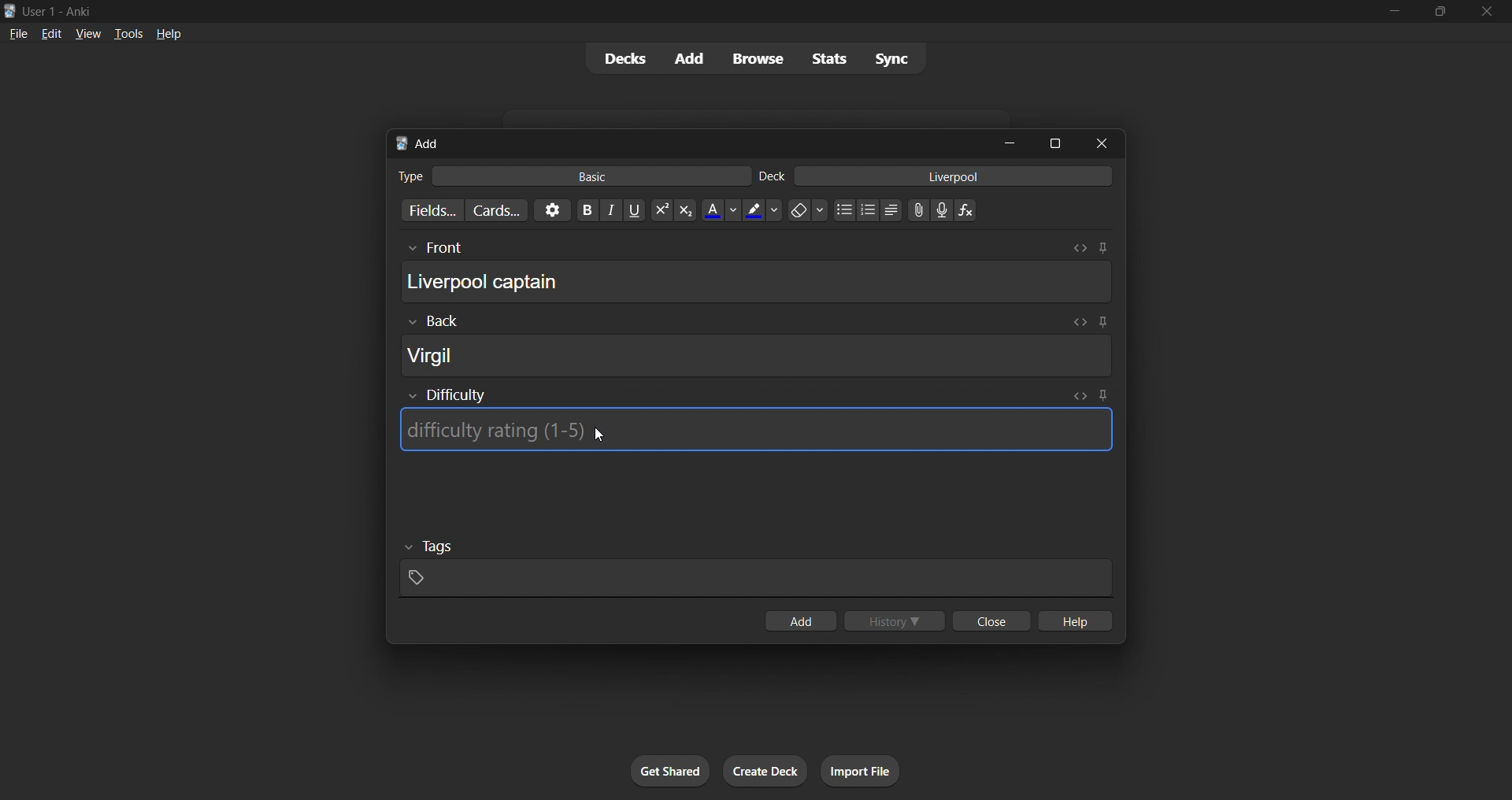  I want to click on history, so click(895, 620).